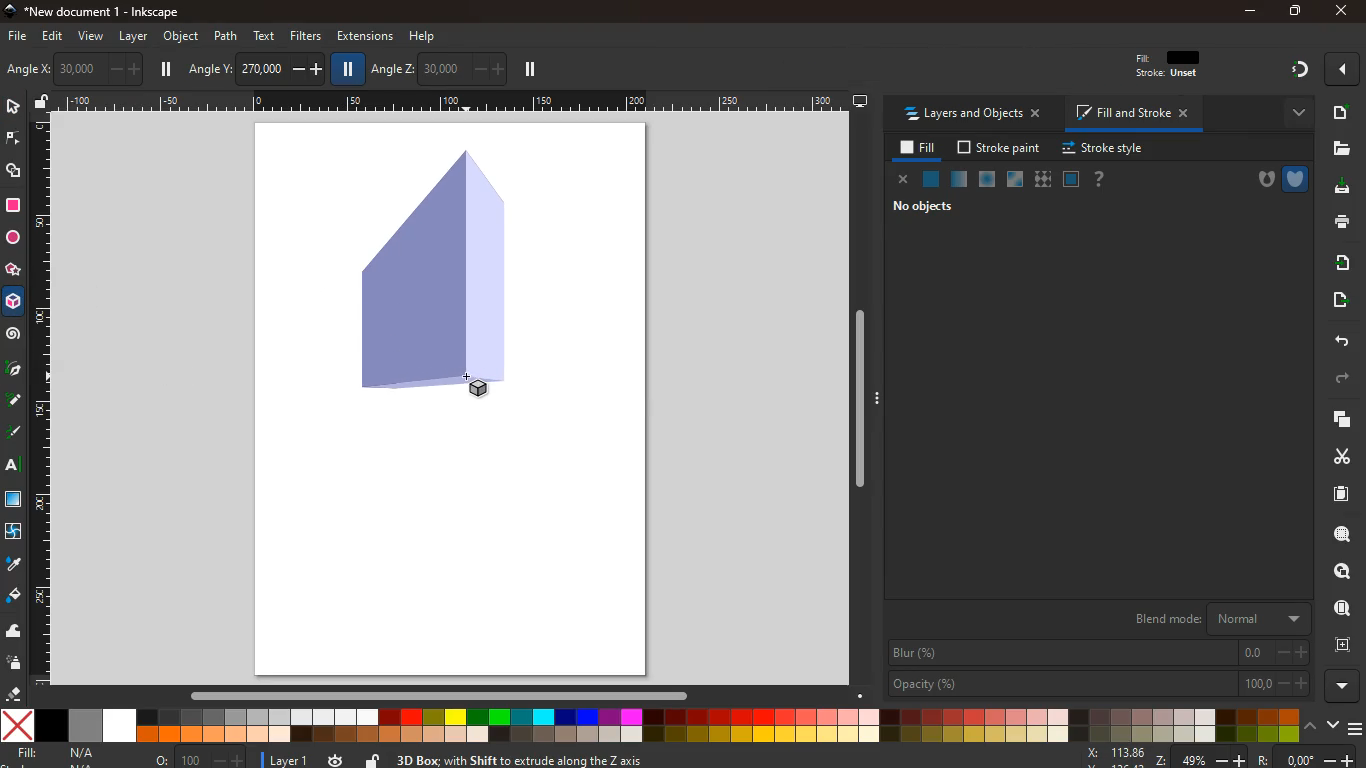  I want to click on Scrollbar, so click(859, 395).